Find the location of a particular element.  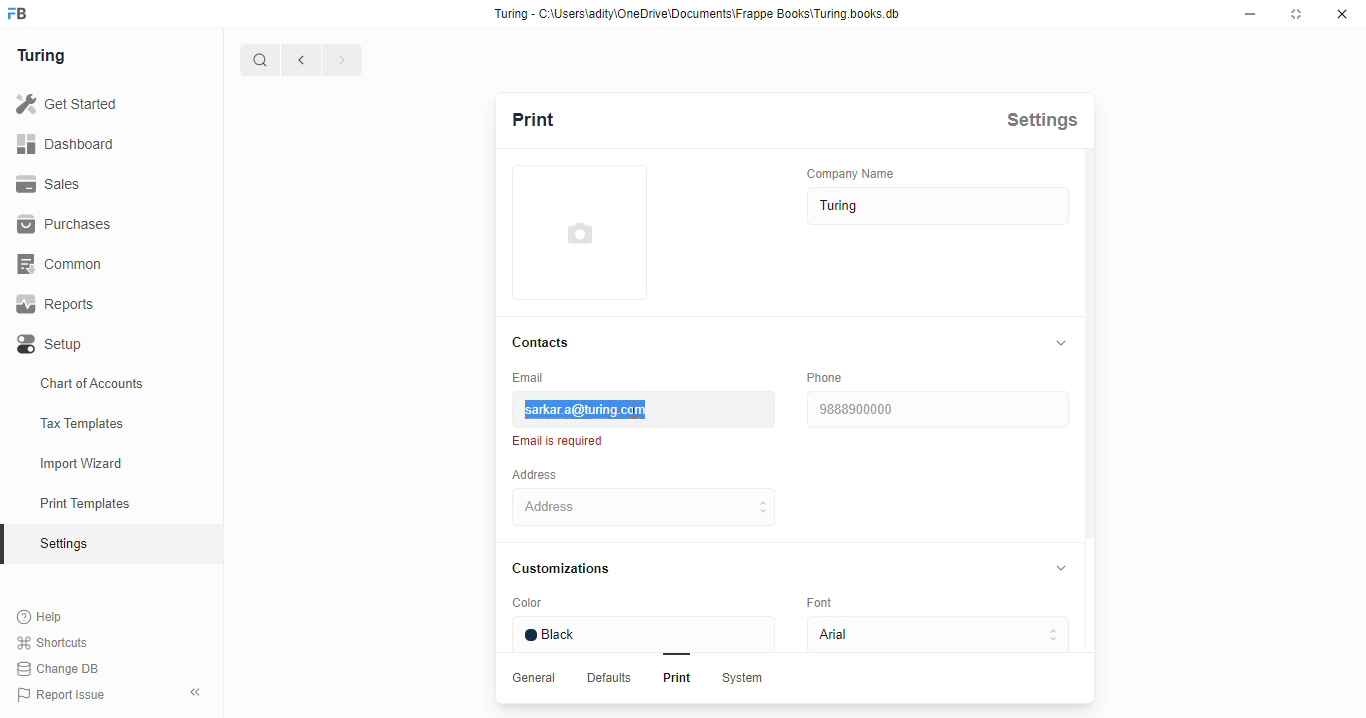

add profile image is located at coordinates (580, 243).